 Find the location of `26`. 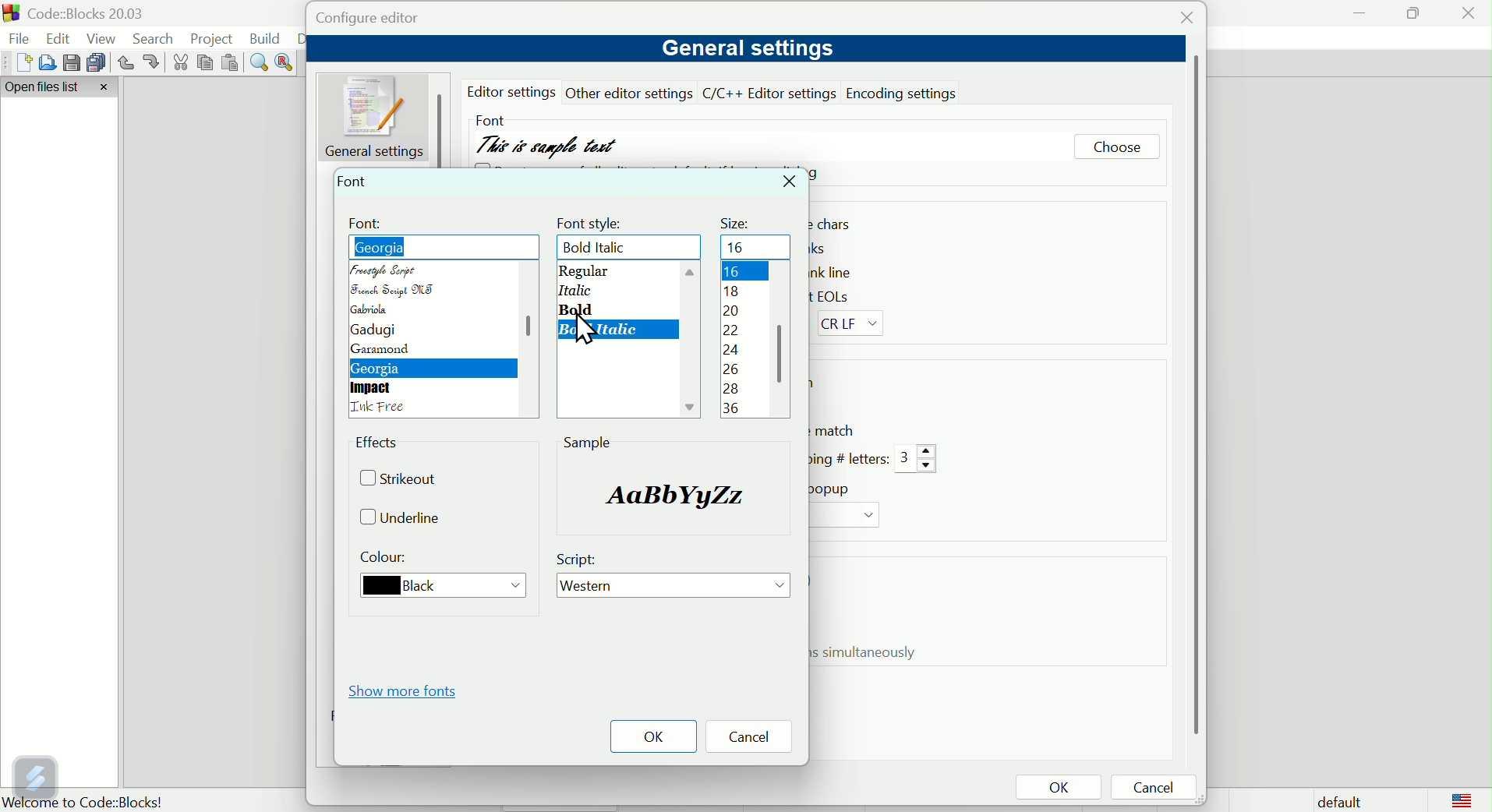

26 is located at coordinates (730, 369).